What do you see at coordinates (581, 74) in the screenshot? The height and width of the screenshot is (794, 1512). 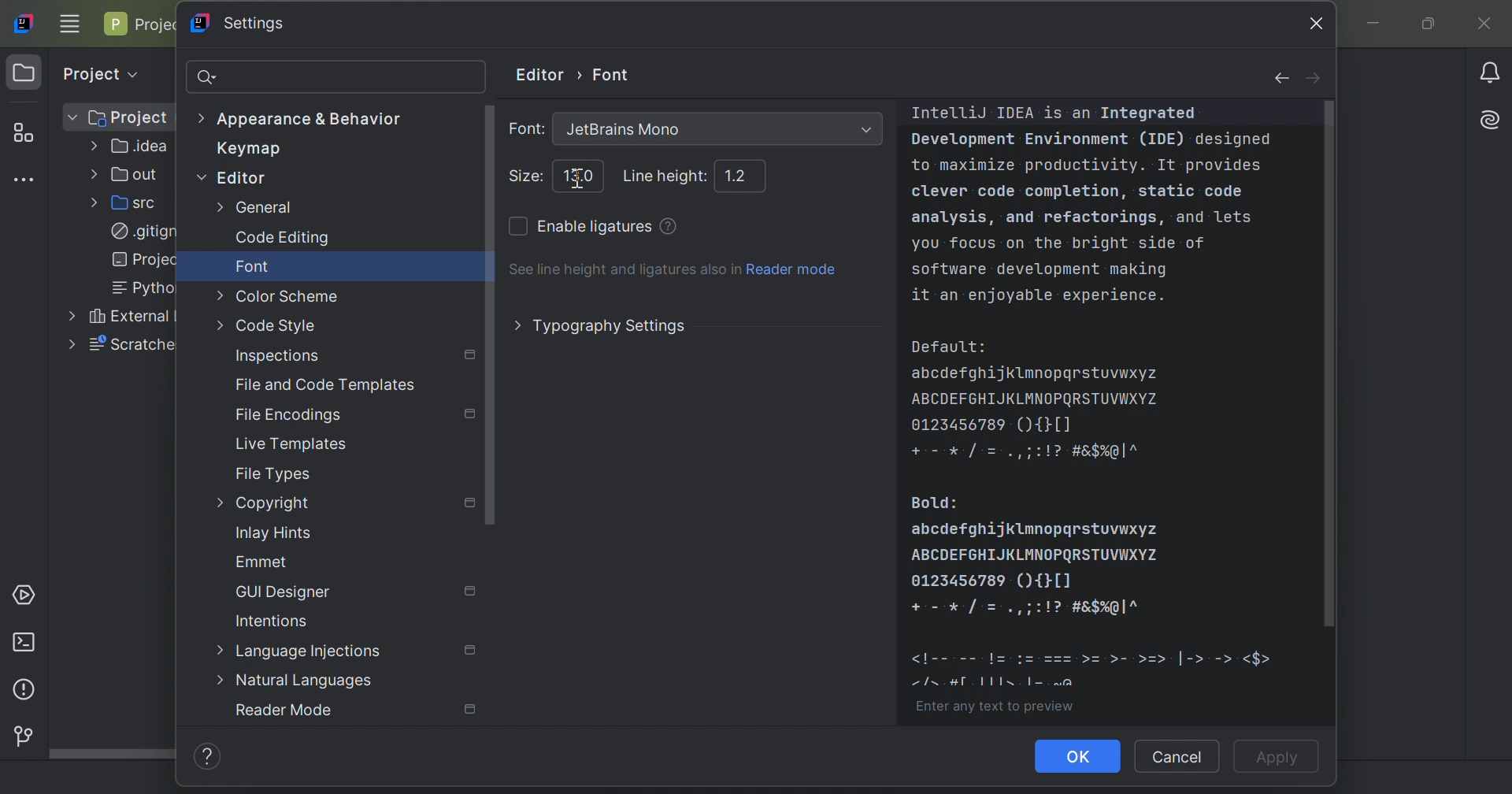 I see `Arrow` at bounding box center [581, 74].